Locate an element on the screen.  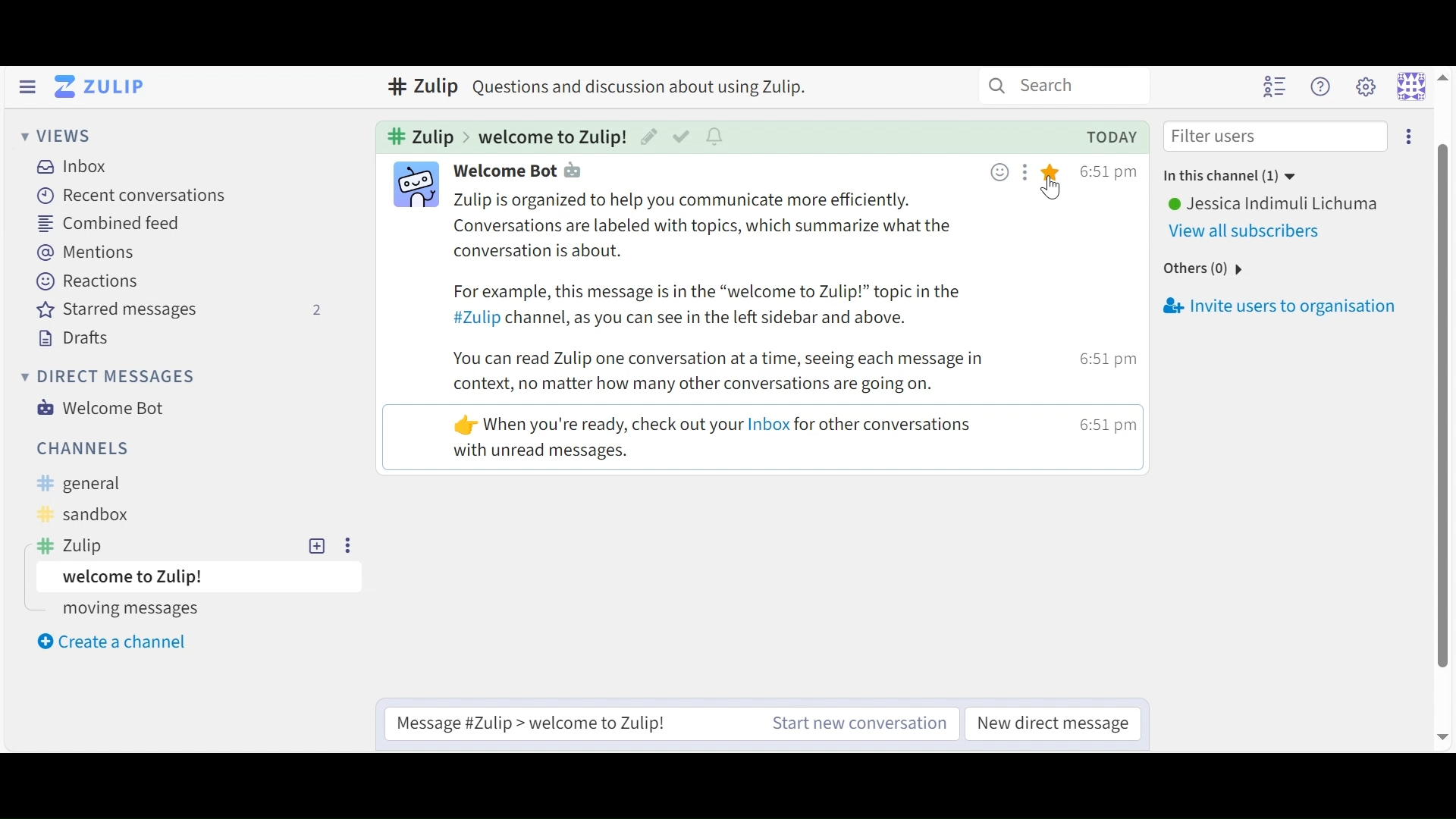
Reactions is located at coordinates (85, 282).